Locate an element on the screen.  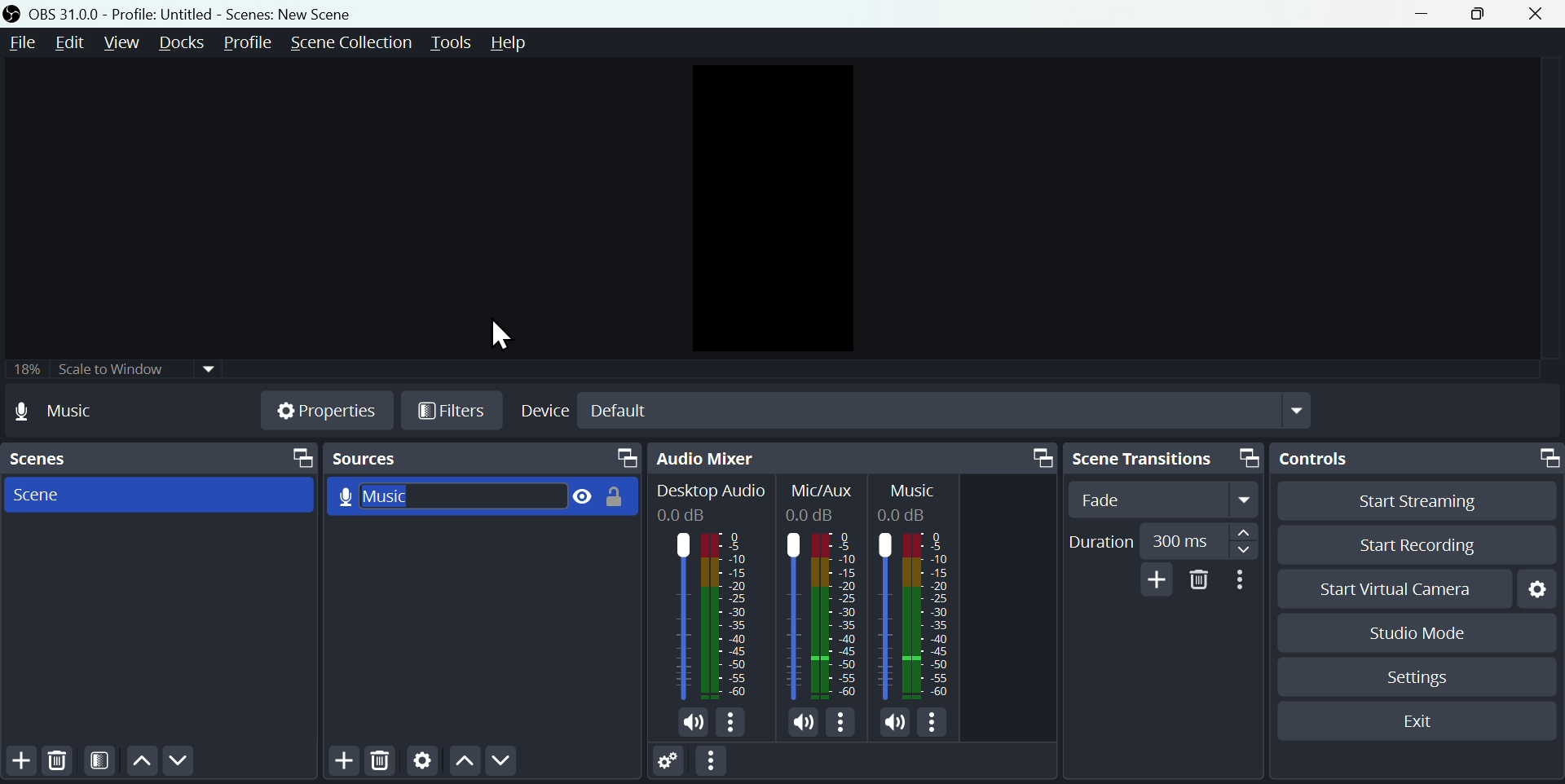
Scenes is located at coordinates (157, 456).